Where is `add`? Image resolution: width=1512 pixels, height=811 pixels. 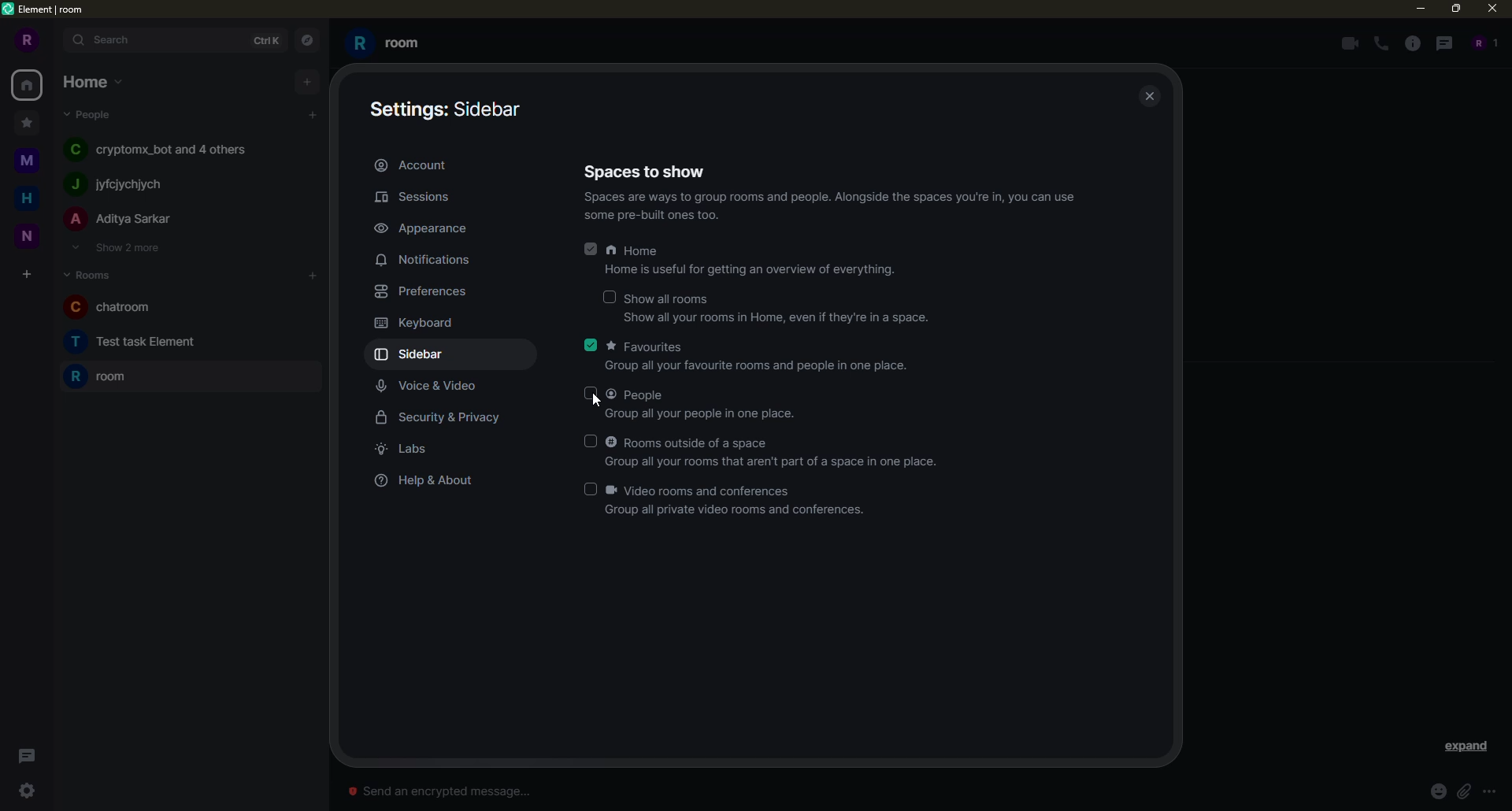
add is located at coordinates (309, 80).